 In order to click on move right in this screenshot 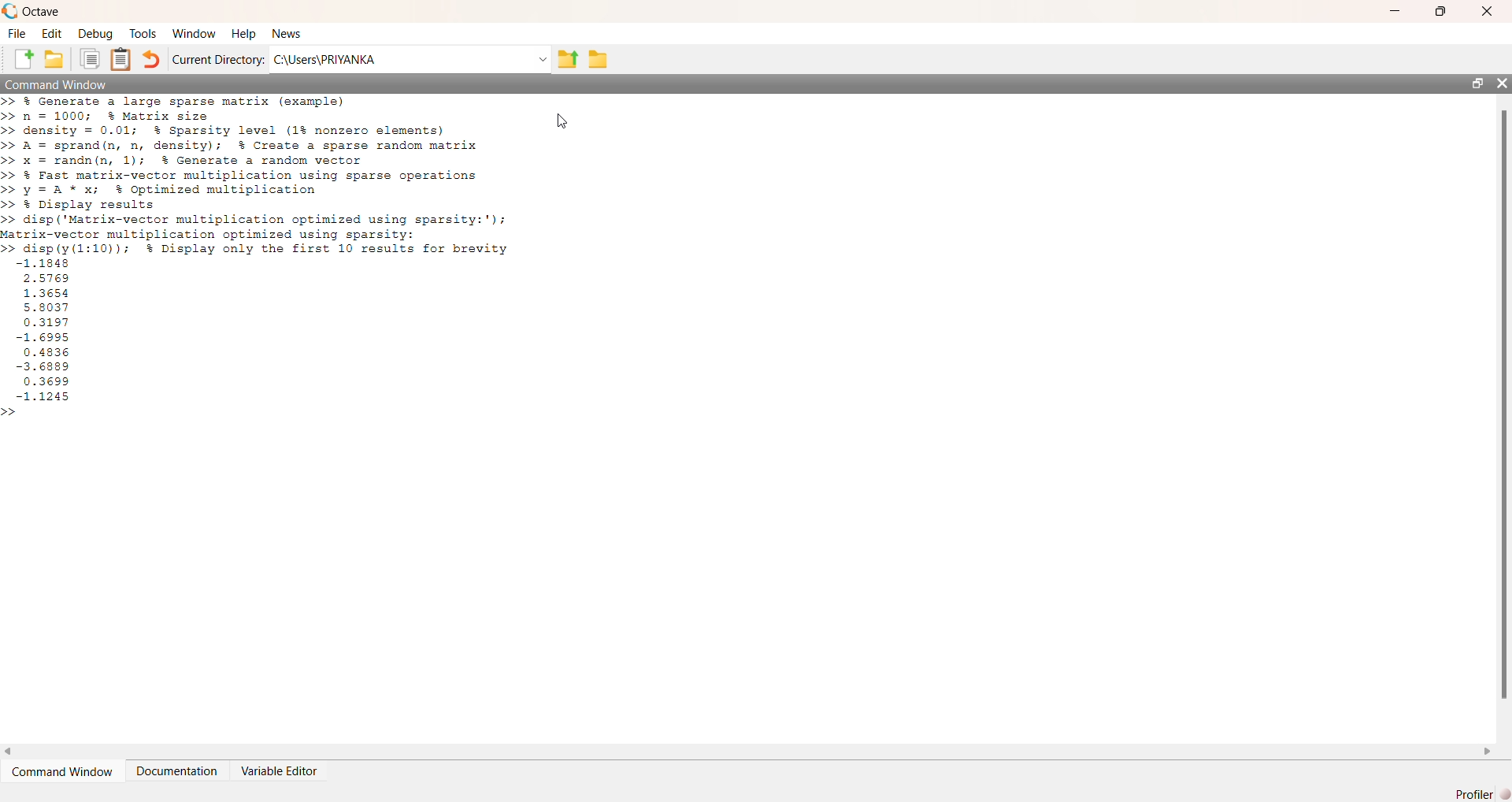, I will do `click(1490, 751)`.